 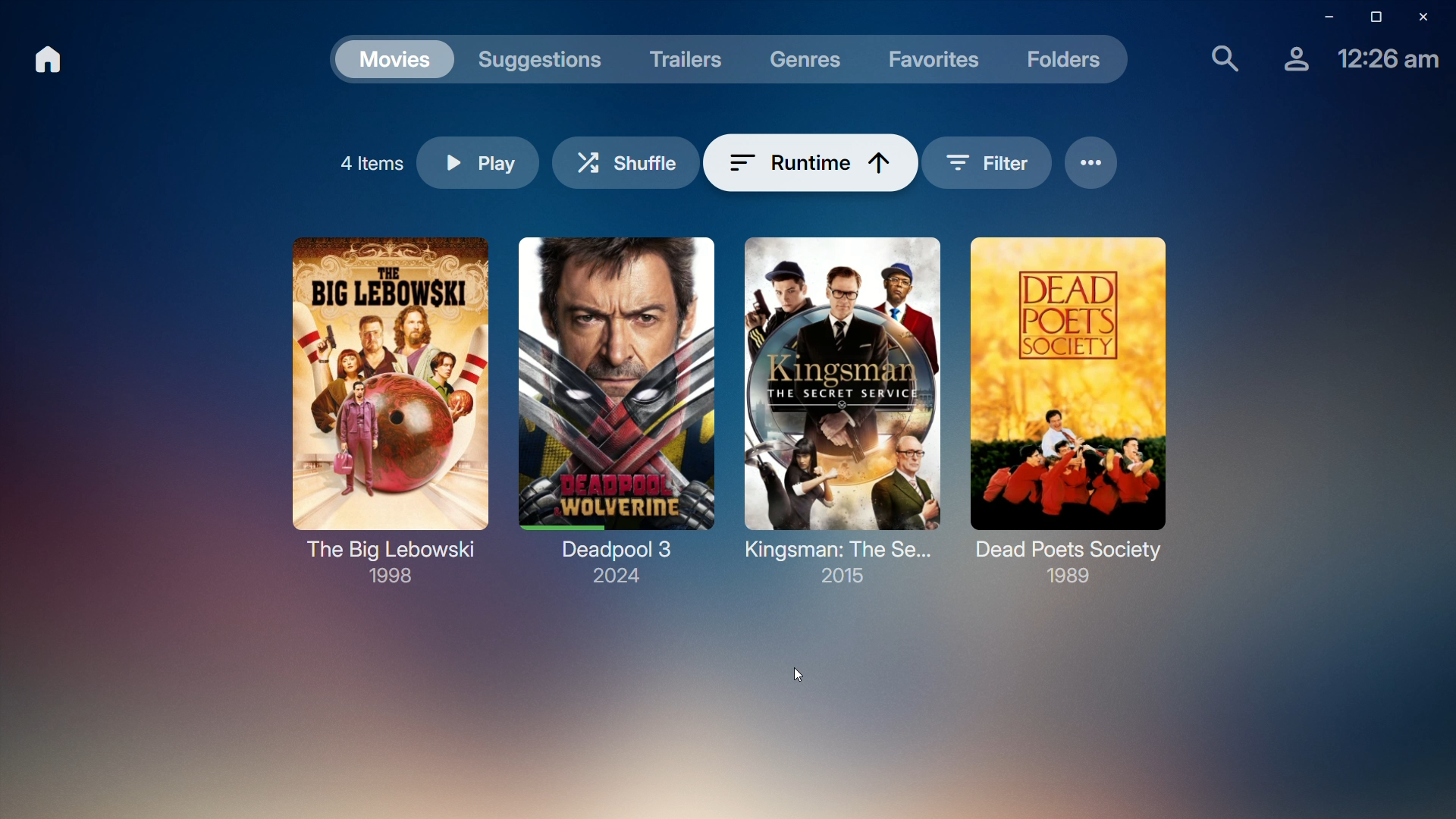 What do you see at coordinates (394, 57) in the screenshot?
I see `Movies` at bounding box center [394, 57].